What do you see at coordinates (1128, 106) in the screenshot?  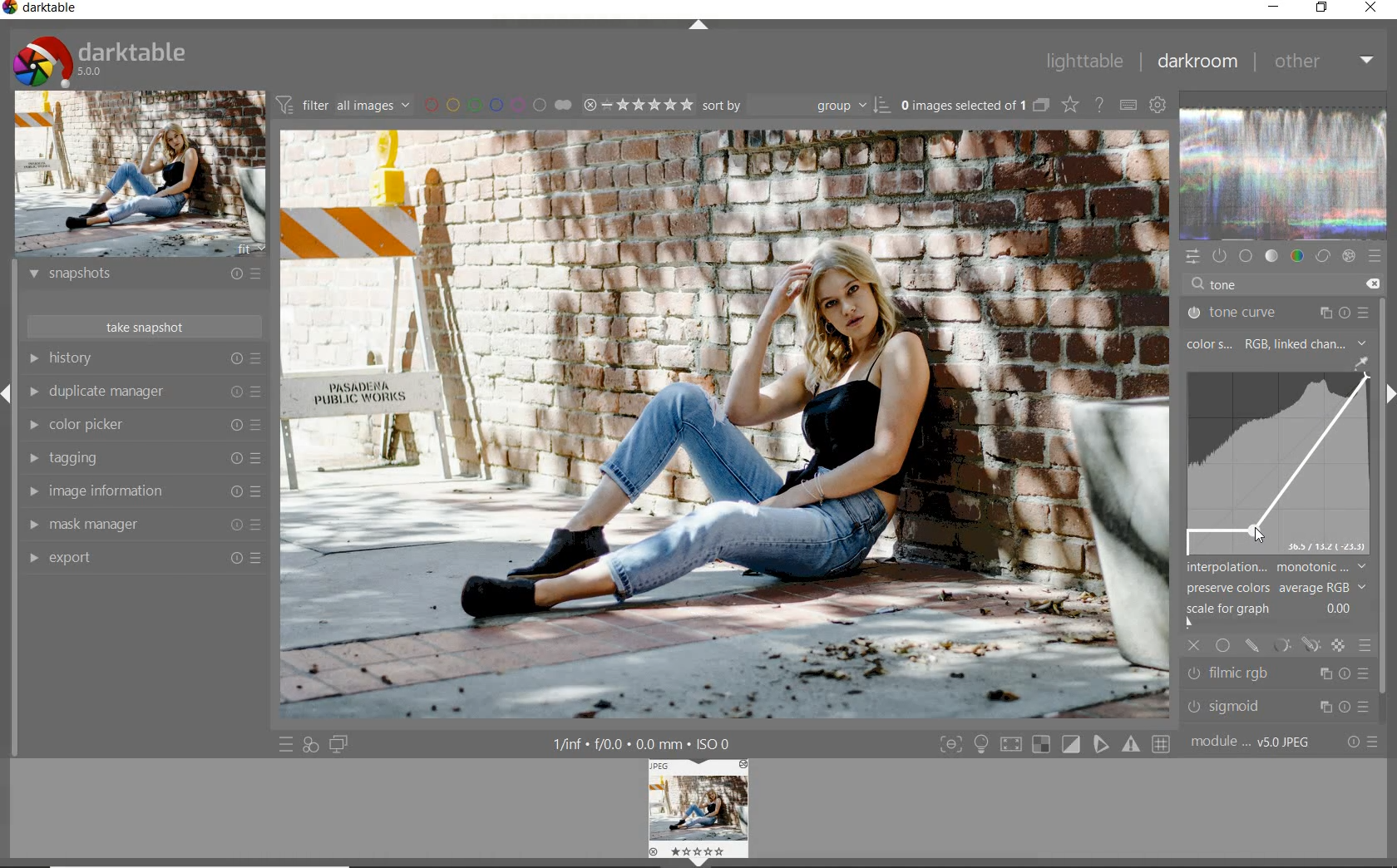 I see `set keyboard shortcuts` at bounding box center [1128, 106].